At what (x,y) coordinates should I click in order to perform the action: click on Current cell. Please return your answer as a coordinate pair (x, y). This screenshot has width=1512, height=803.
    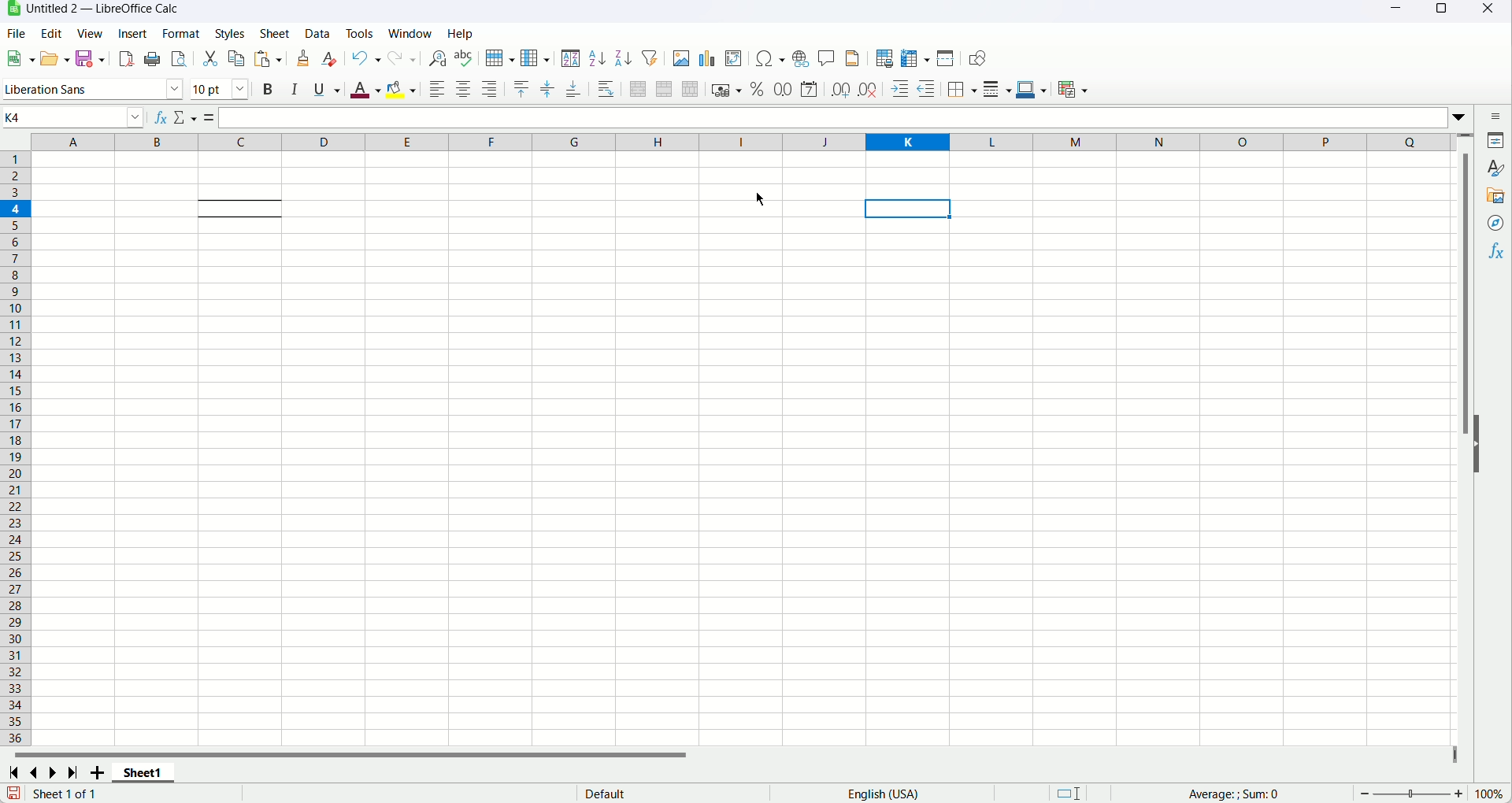
    Looking at the image, I should click on (910, 209).